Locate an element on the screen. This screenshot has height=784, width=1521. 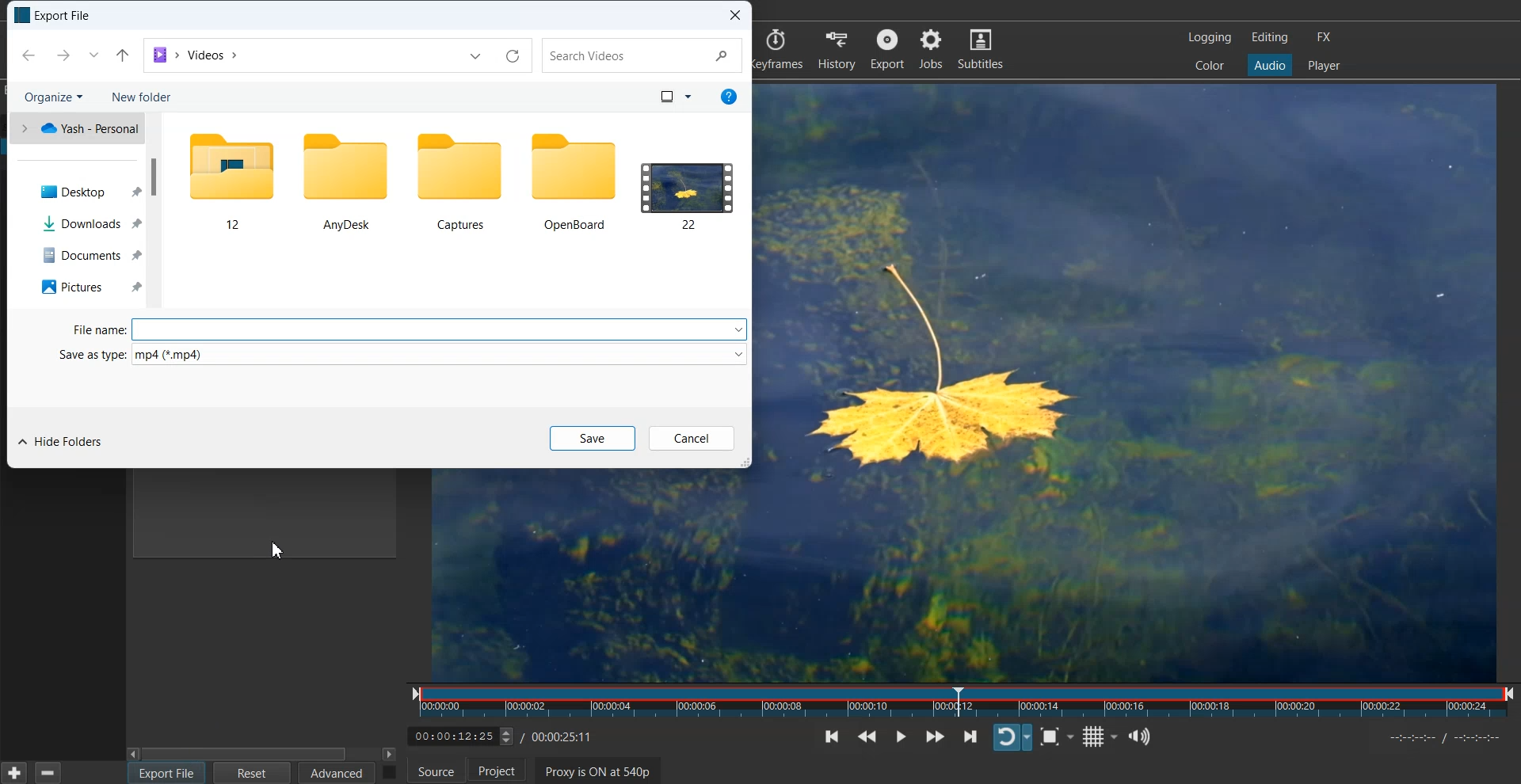
New folder is located at coordinates (156, 97).